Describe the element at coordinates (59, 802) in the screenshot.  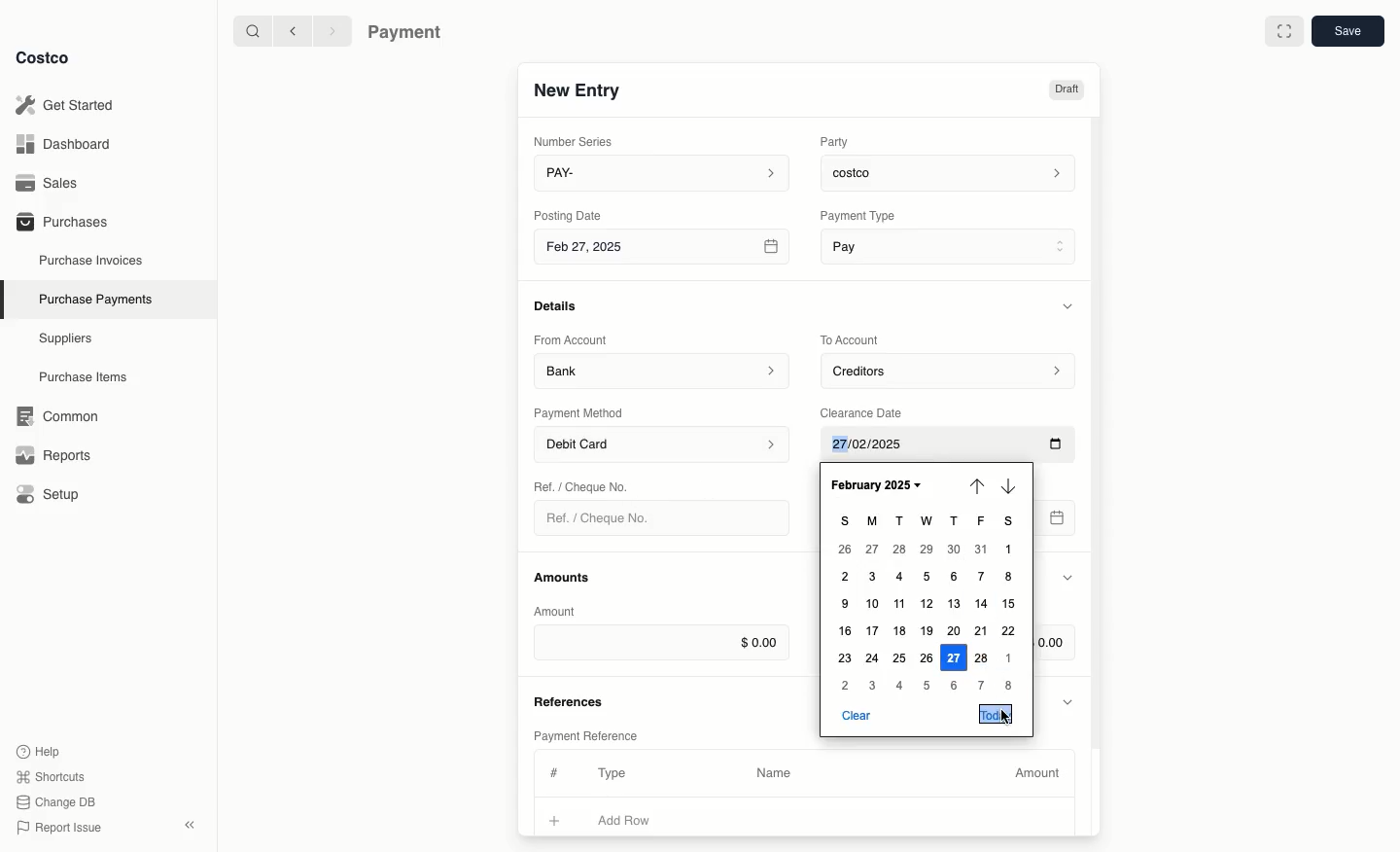
I see `Change DB` at that location.